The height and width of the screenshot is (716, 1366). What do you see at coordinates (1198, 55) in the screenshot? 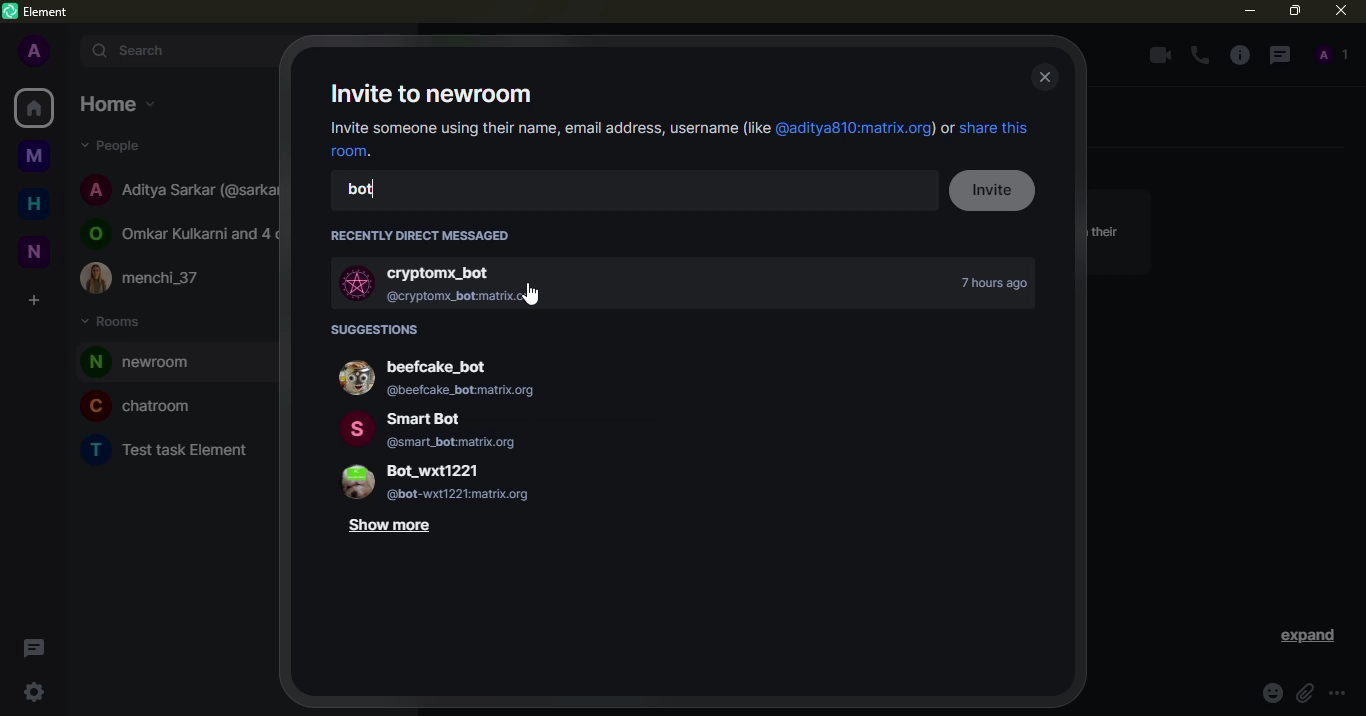
I see `voice call` at bounding box center [1198, 55].